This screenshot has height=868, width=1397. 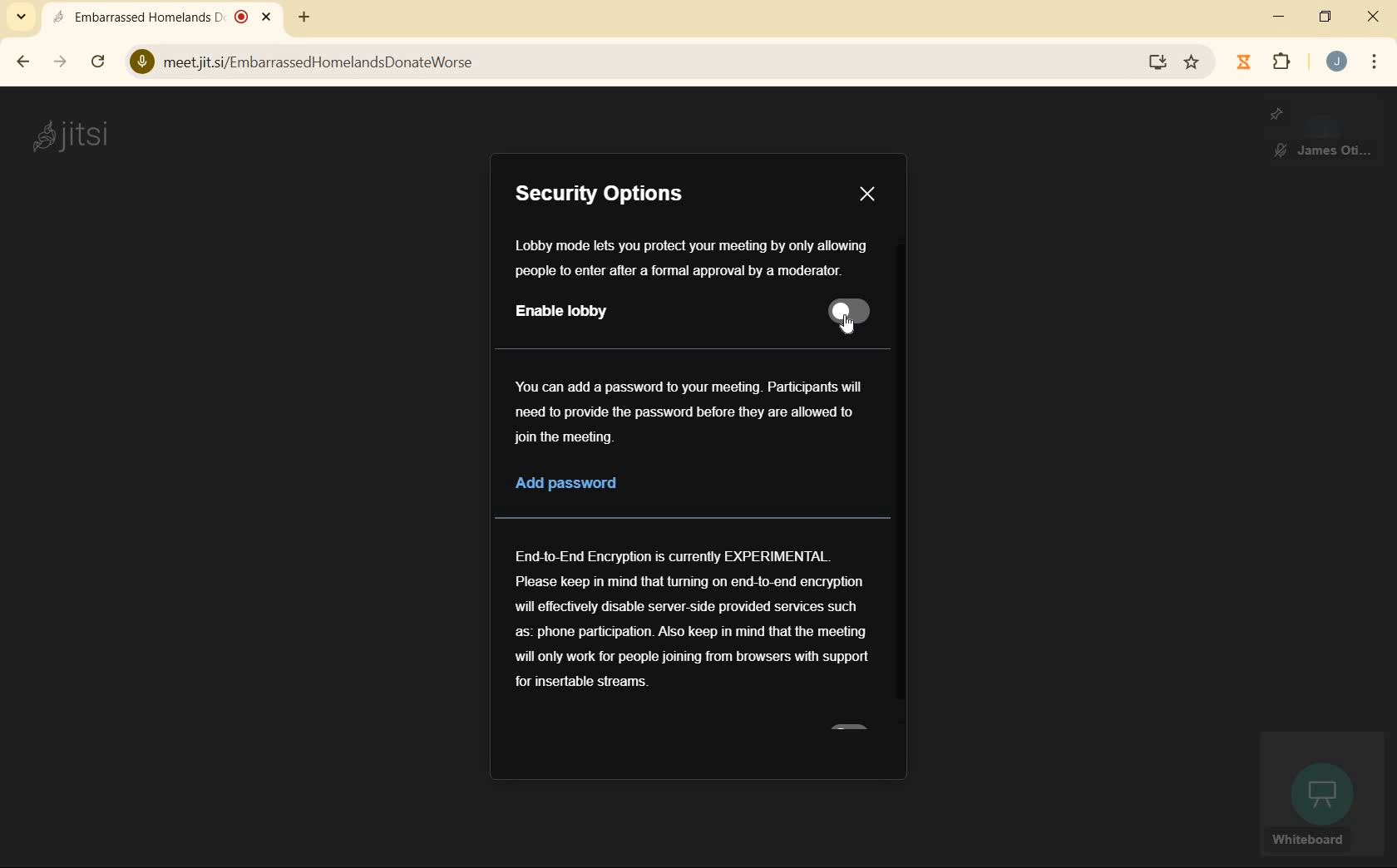 What do you see at coordinates (1320, 796) in the screenshot?
I see `whiteboard` at bounding box center [1320, 796].